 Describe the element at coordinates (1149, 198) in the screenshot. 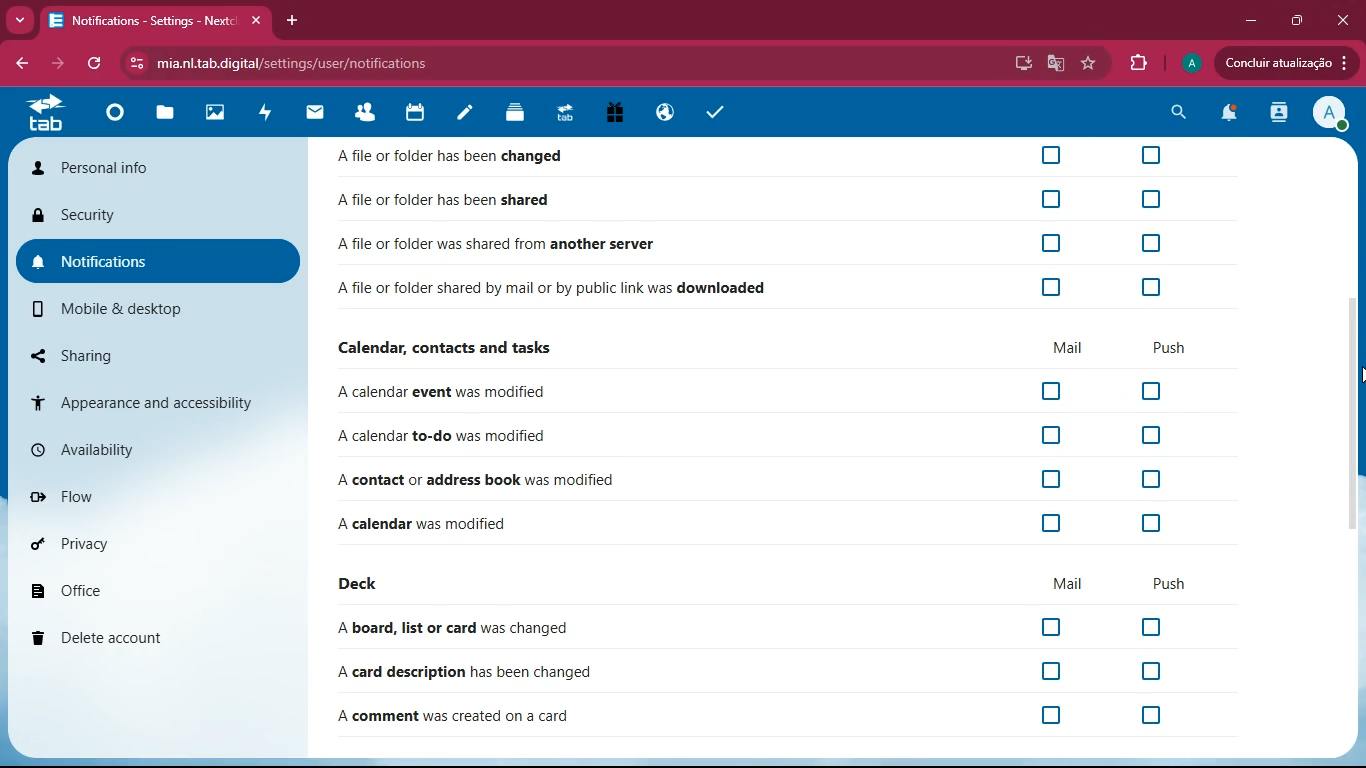

I see `off` at that location.